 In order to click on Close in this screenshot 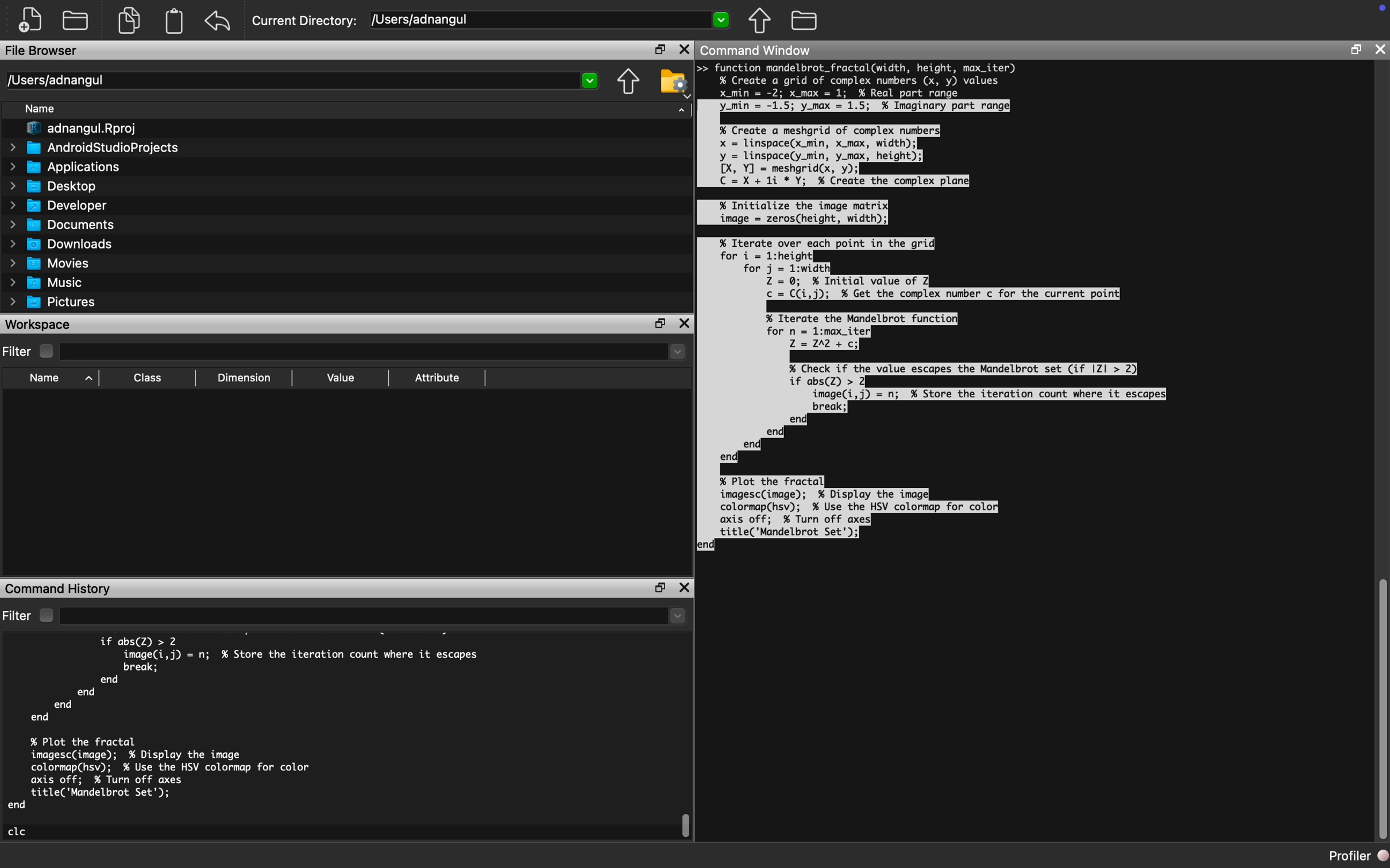, I will do `click(686, 323)`.